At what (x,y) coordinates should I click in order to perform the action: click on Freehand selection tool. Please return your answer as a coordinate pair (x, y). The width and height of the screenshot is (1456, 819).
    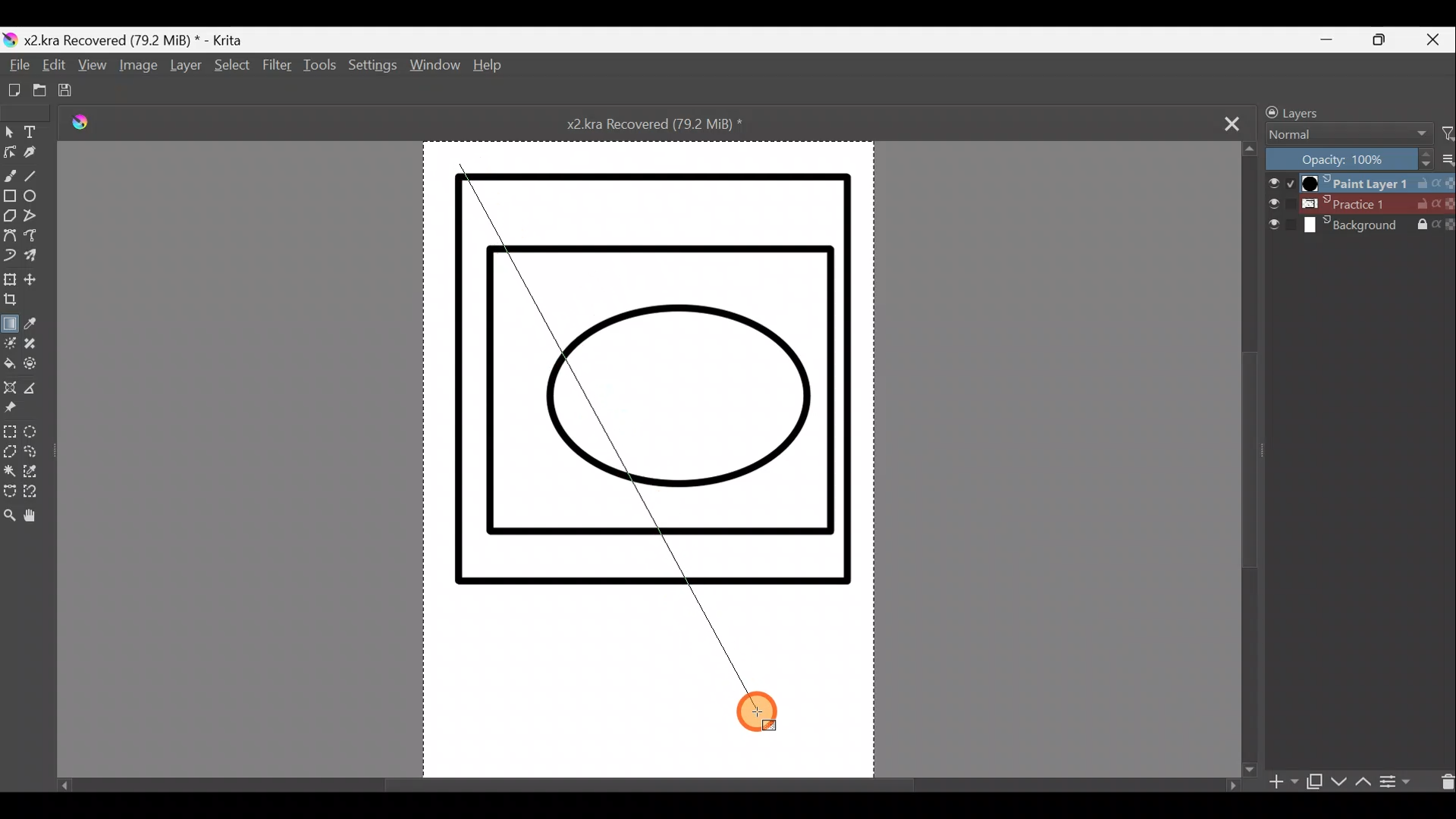
    Looking at the image, I should click on (38, 454).